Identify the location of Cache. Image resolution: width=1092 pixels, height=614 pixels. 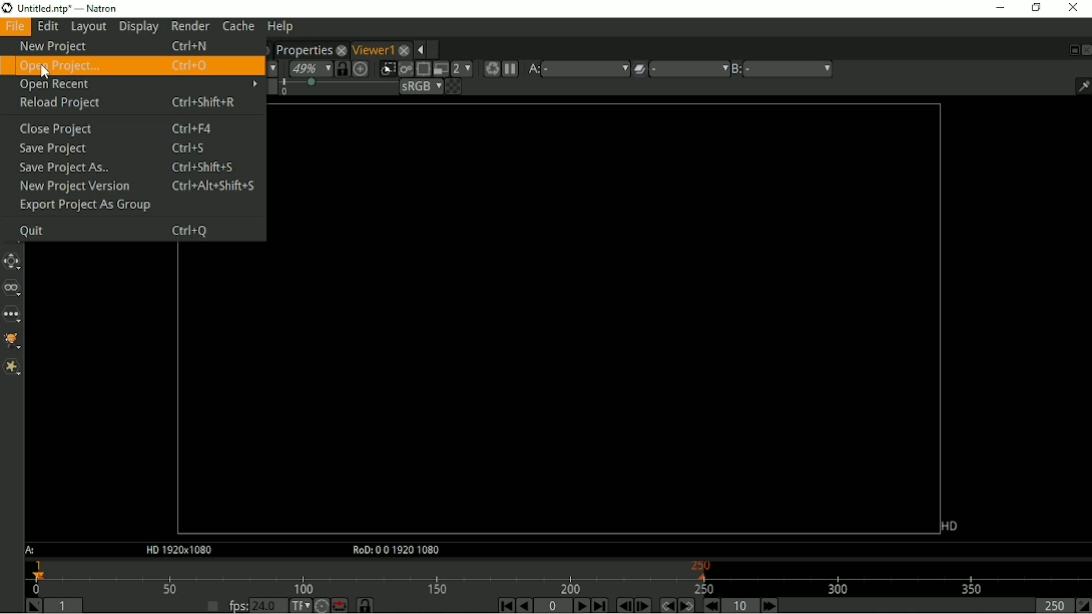
(238, 26).